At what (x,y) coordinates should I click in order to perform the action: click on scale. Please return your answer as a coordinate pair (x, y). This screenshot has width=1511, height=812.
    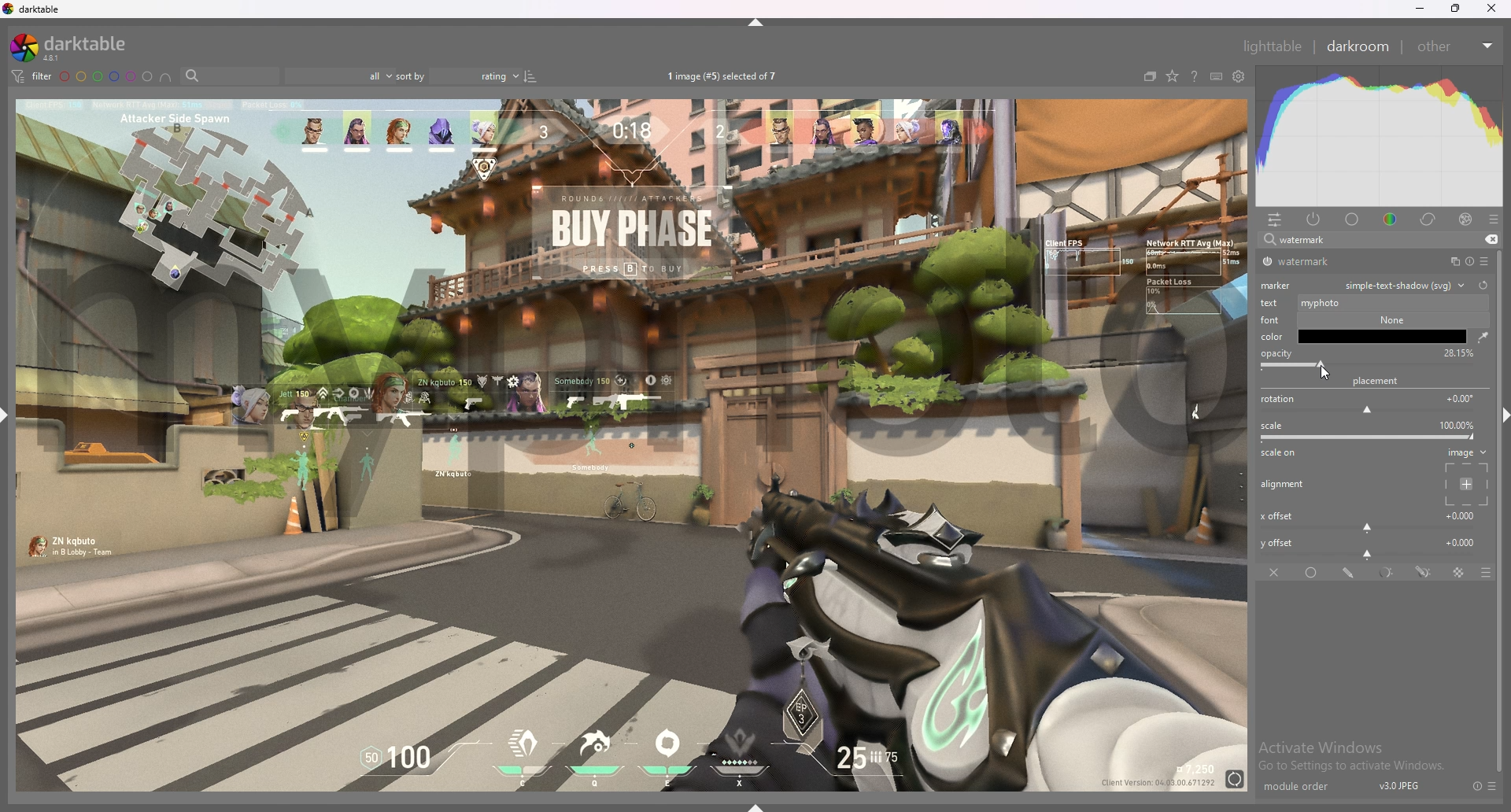
    Looking at the image, I should click on (1371, 431).